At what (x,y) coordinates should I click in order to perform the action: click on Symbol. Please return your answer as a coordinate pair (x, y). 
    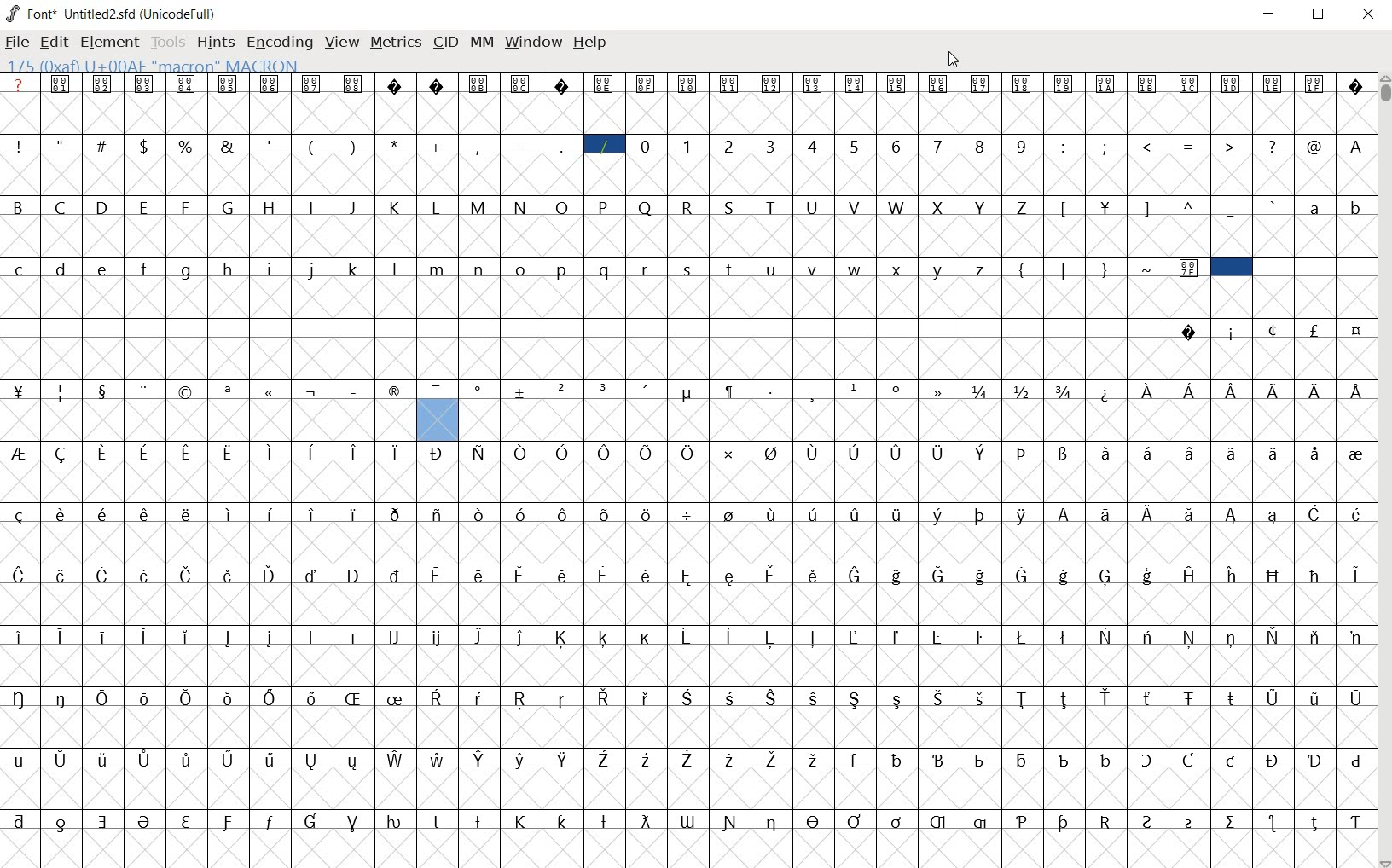
    Looking at the image, I should click on (1273, 759).